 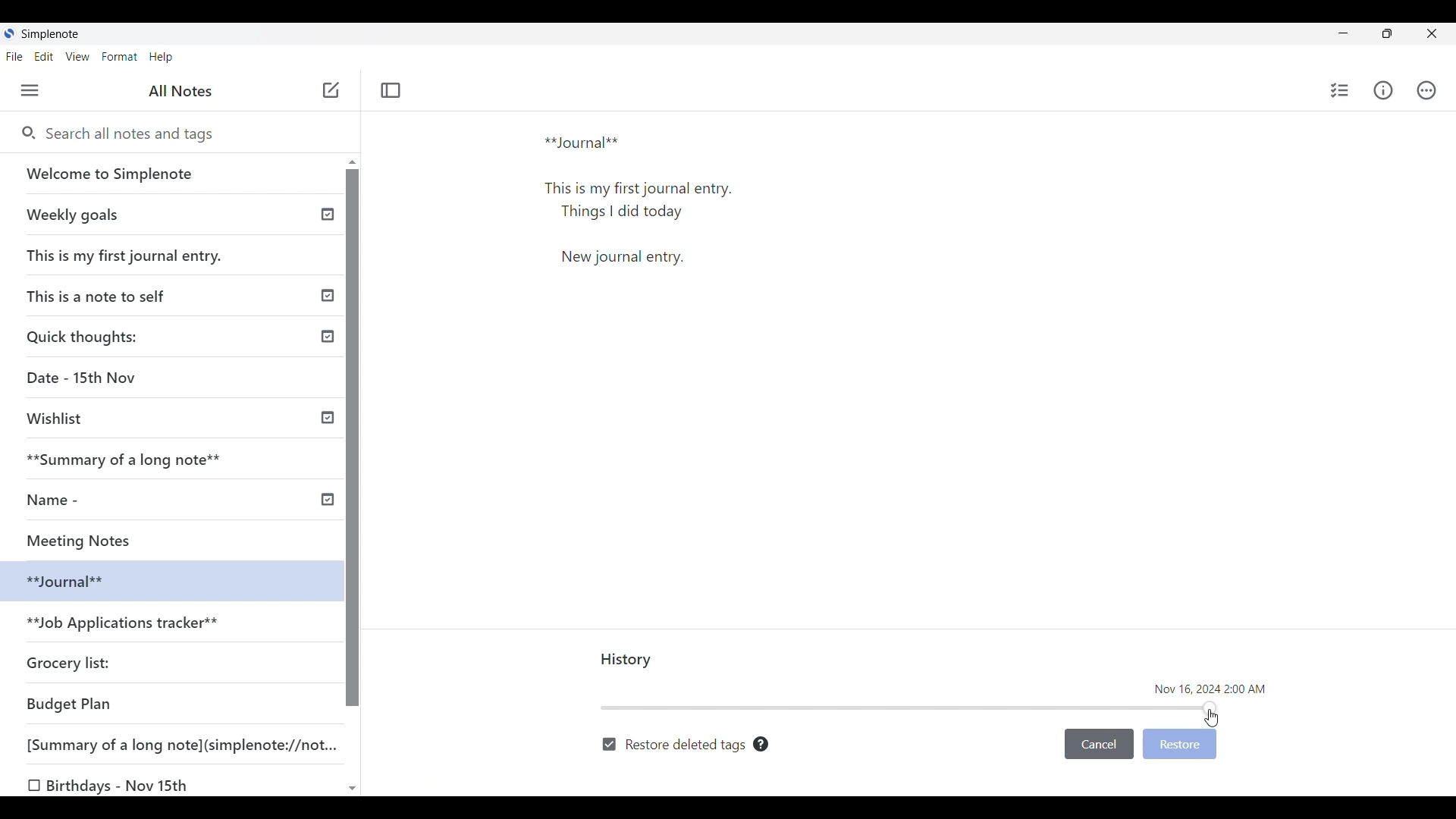 I want to click on Grocery list:, so click(x=71, y=661).